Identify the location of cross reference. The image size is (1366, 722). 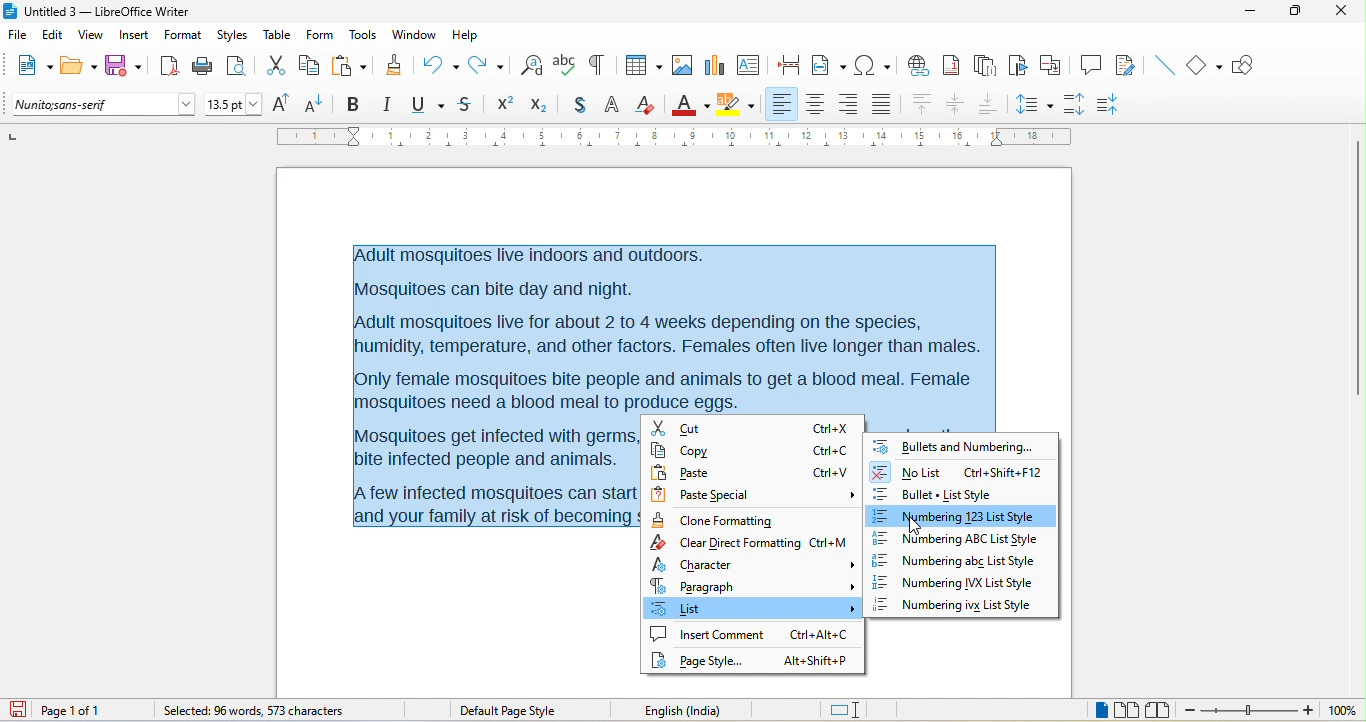
(1055, 65).